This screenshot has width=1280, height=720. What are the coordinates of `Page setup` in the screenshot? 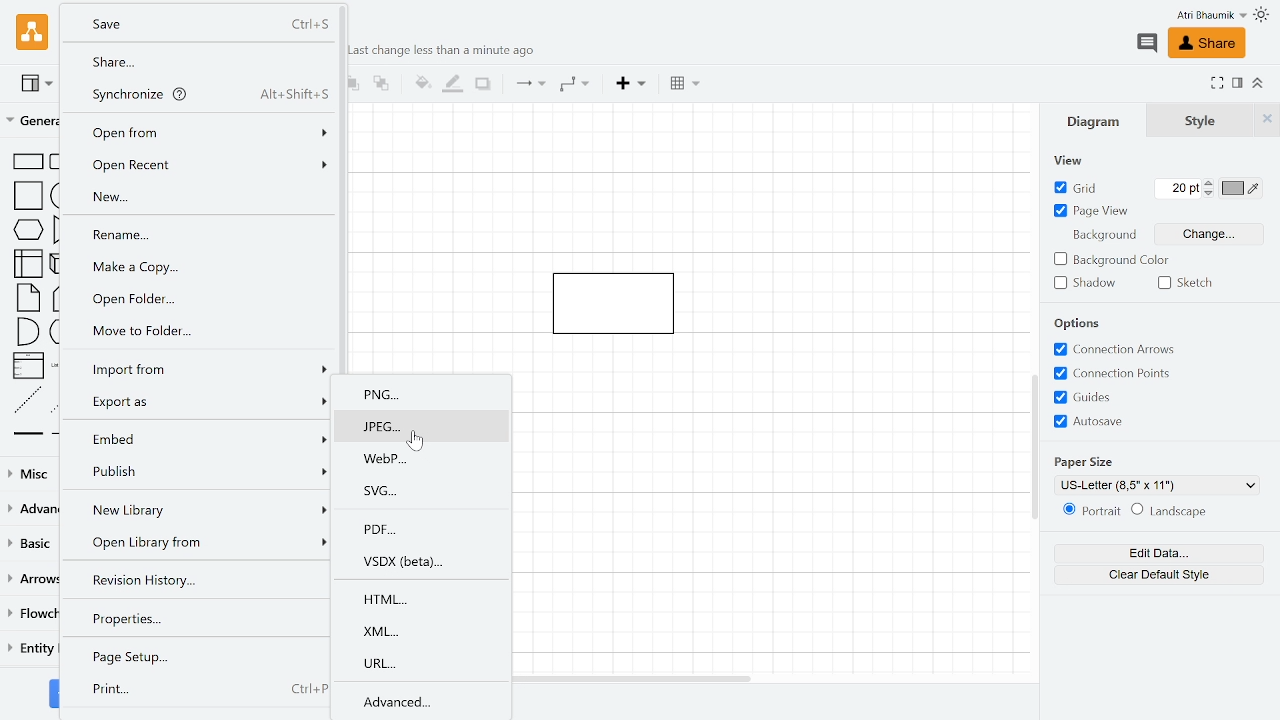 It's located at (198, 657).